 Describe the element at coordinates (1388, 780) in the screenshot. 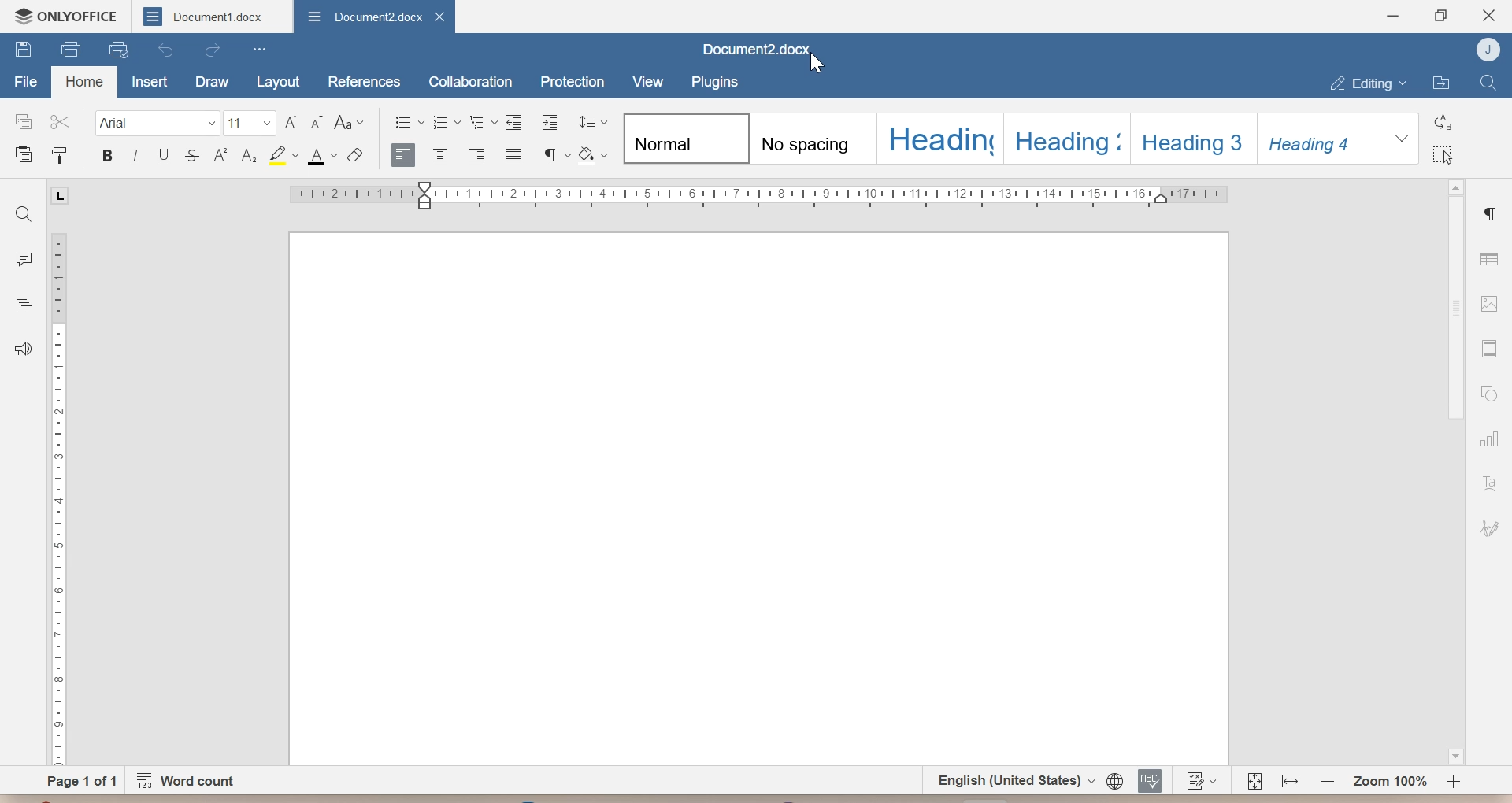

I see `Zoom` at that location.